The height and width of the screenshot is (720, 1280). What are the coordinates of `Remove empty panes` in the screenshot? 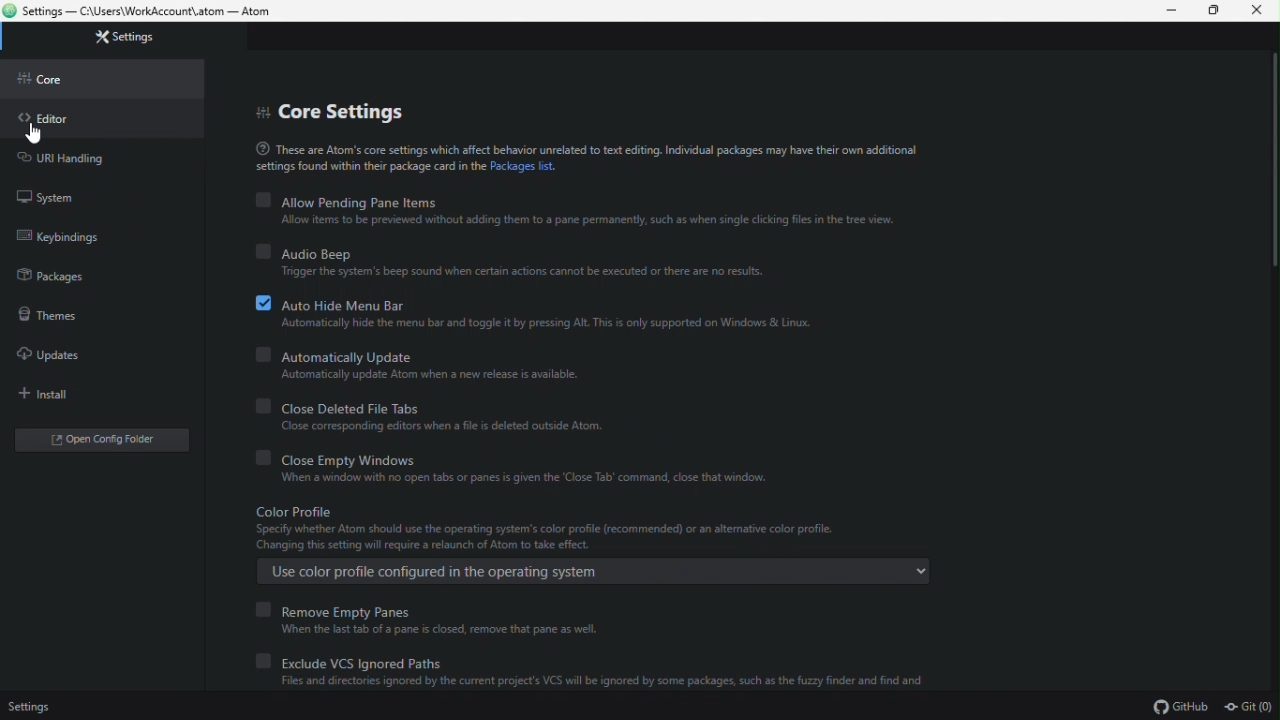 It's located at (431, 610).